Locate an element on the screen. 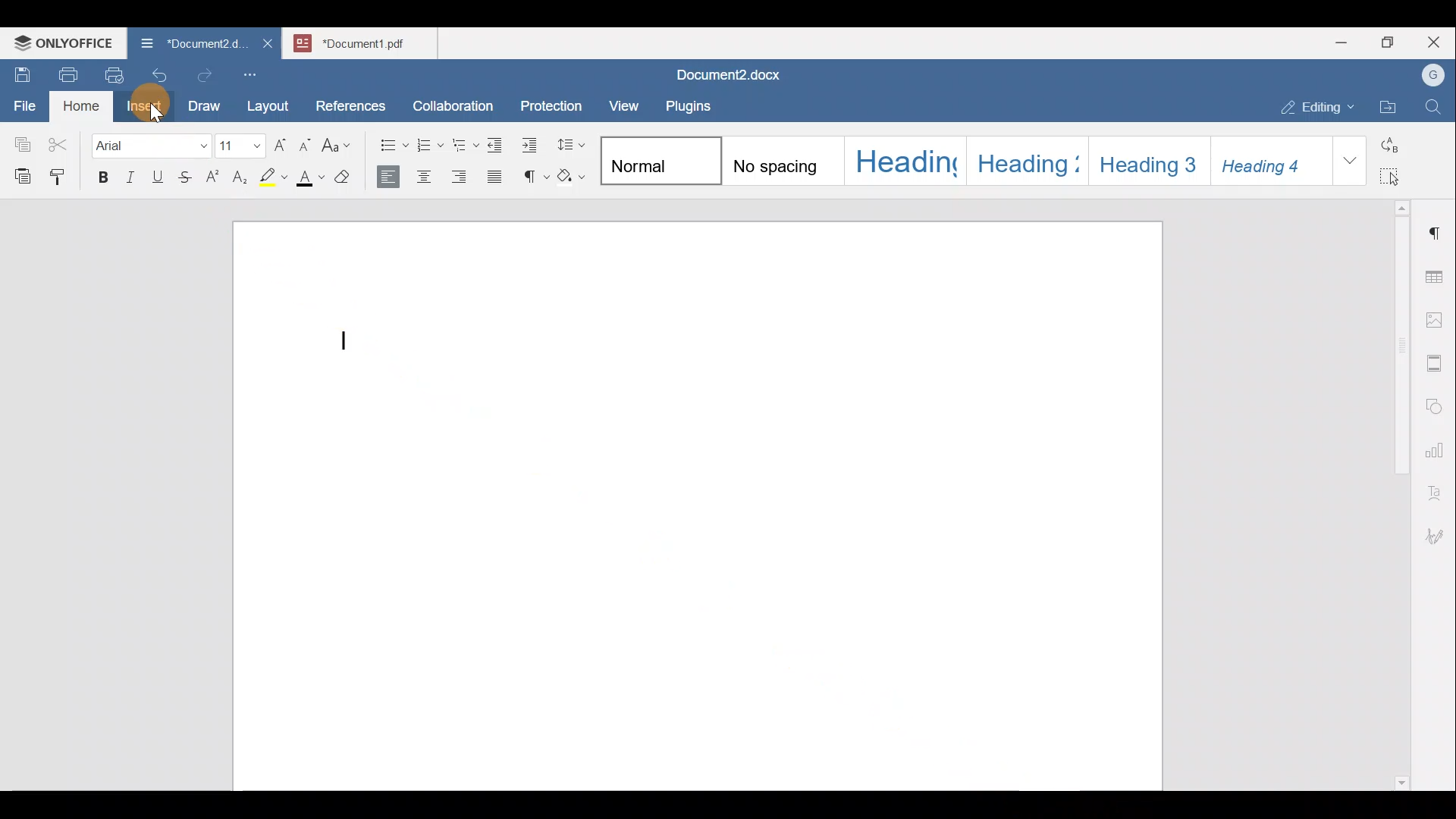 The width and height of the screenshot is (1456, 819). Undo is located at coordinates (156, 73).